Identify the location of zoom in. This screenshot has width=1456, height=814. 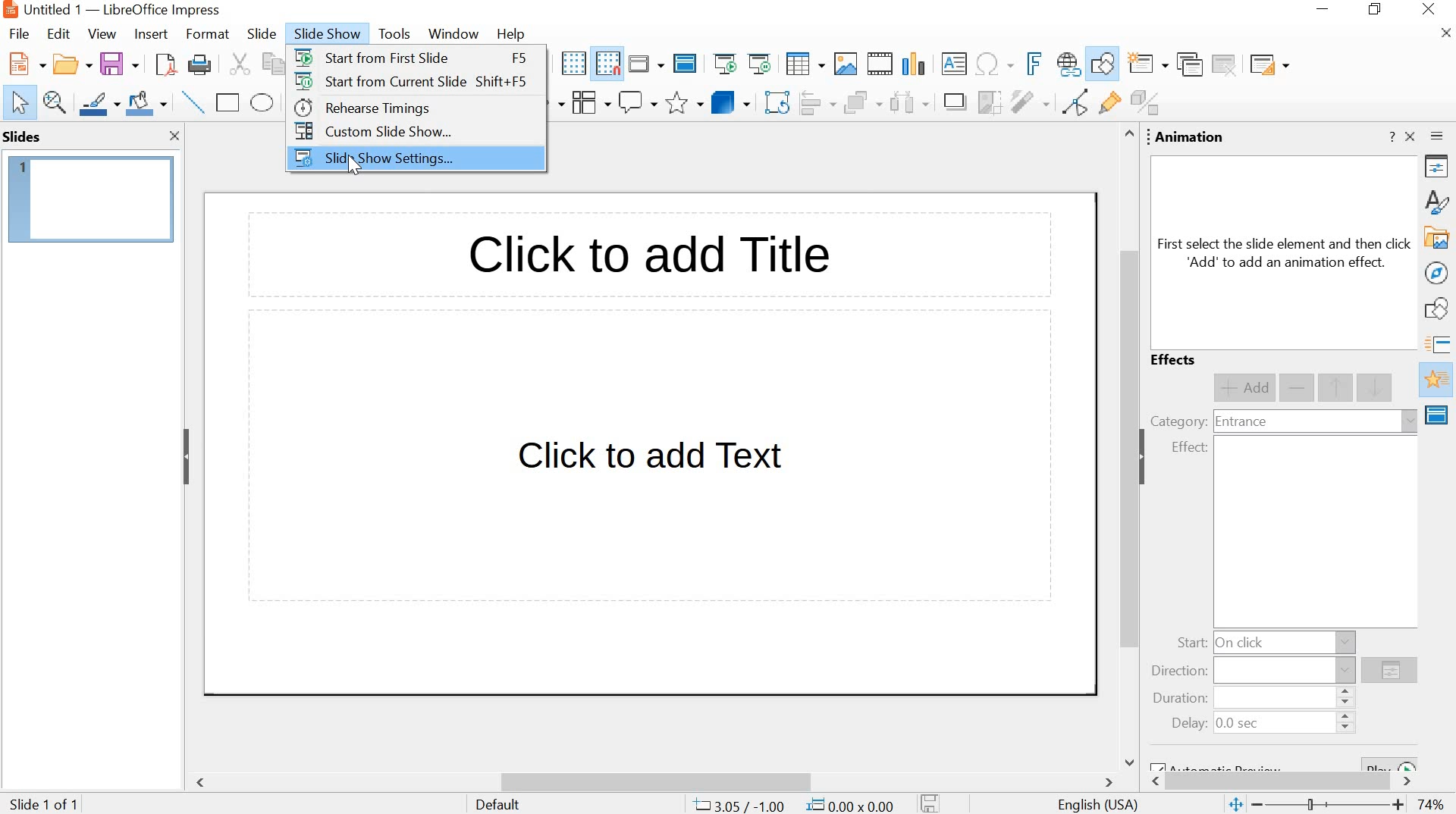
(1398, 806).